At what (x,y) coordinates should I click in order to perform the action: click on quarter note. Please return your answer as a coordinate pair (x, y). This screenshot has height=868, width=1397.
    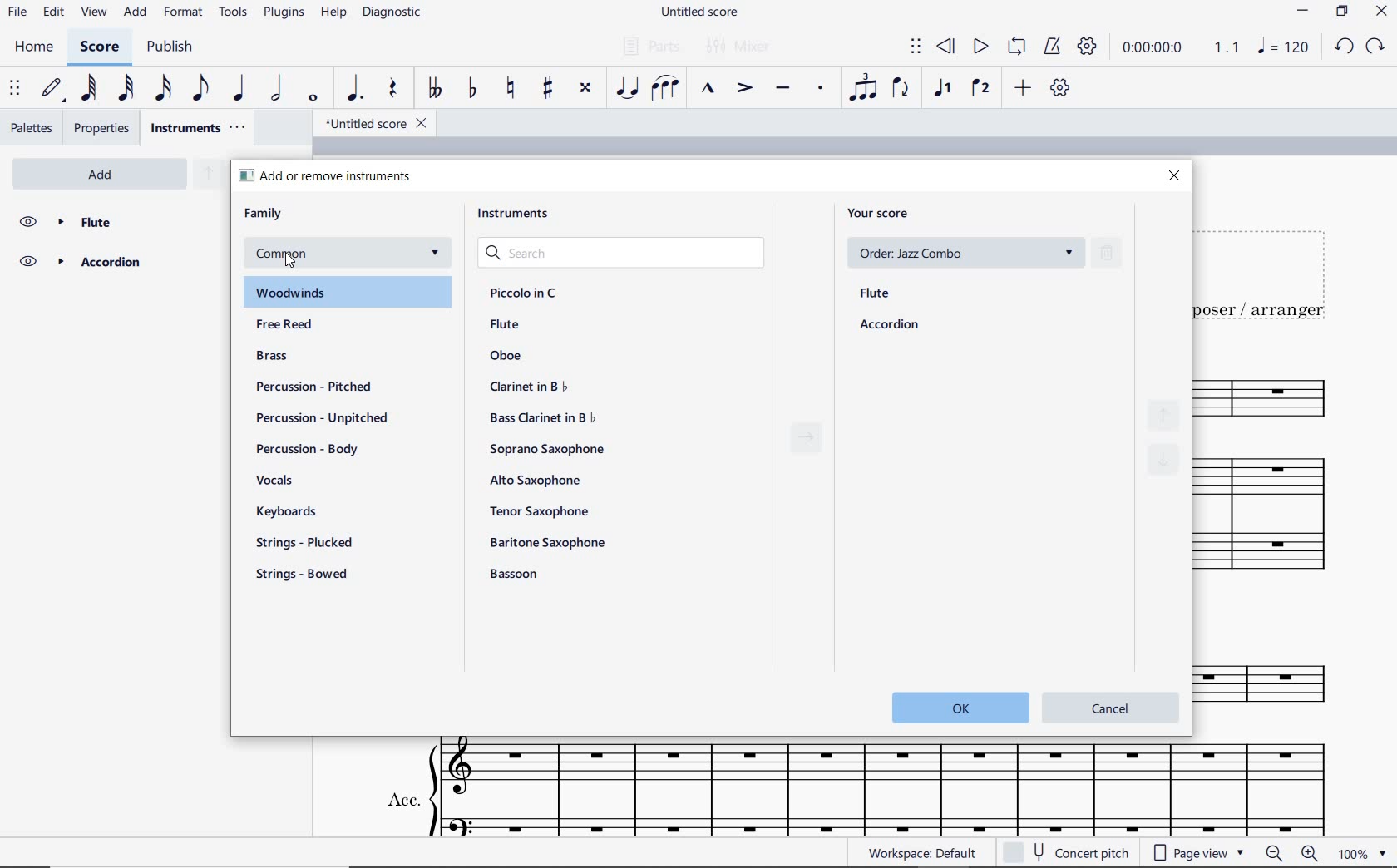
    Looking at the image, I should click on (240, 88).